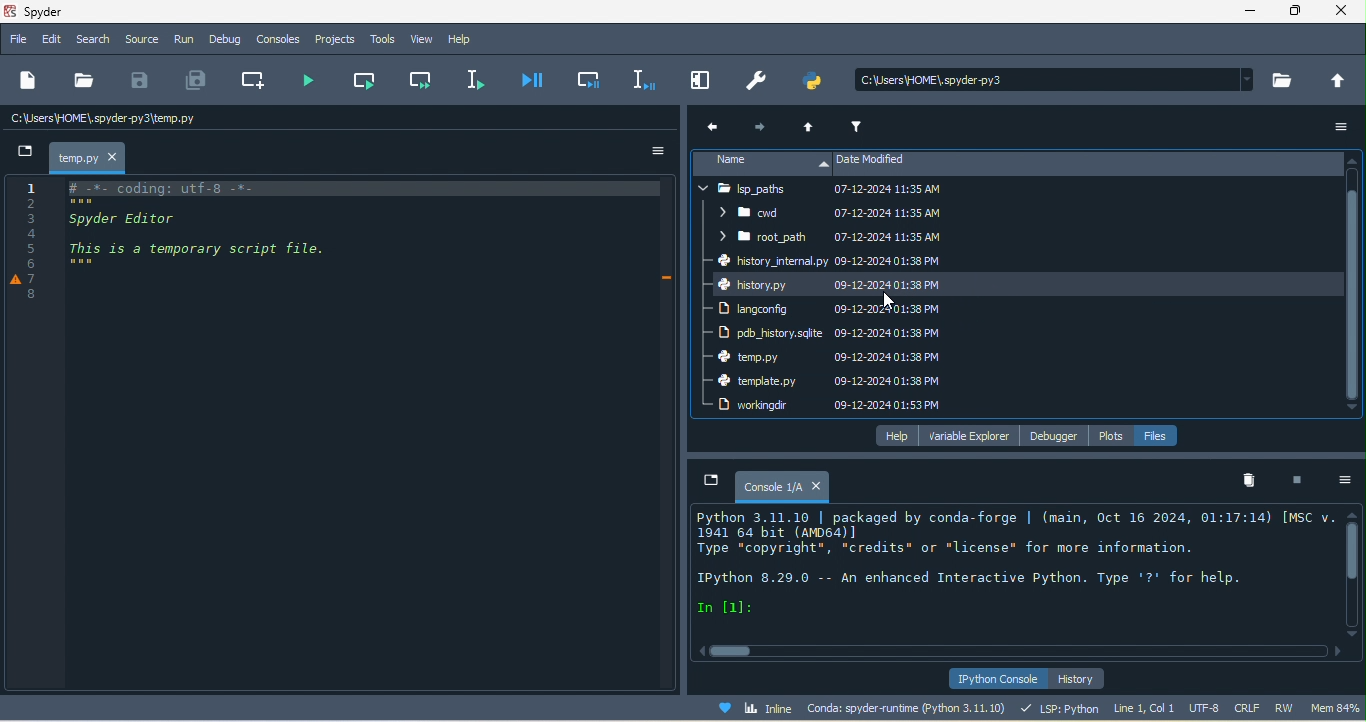 The width and height of the screenshot is (1366, 722). What do you see at coordinates (764, 239) in the screenshot?
I see `root path` at bounding box center [764, 239].